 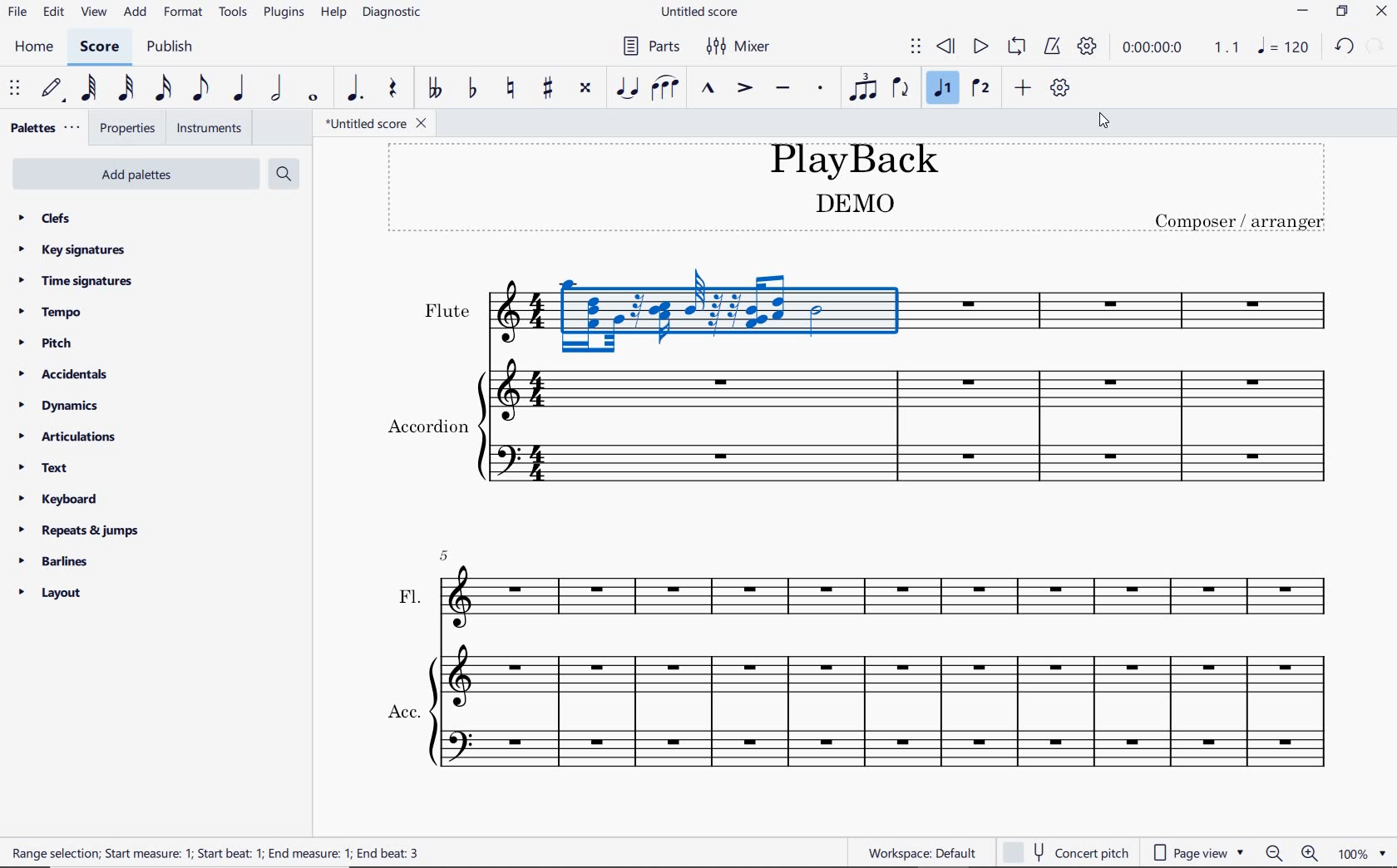 I want to click on rewind, so click(x=946, y=48).